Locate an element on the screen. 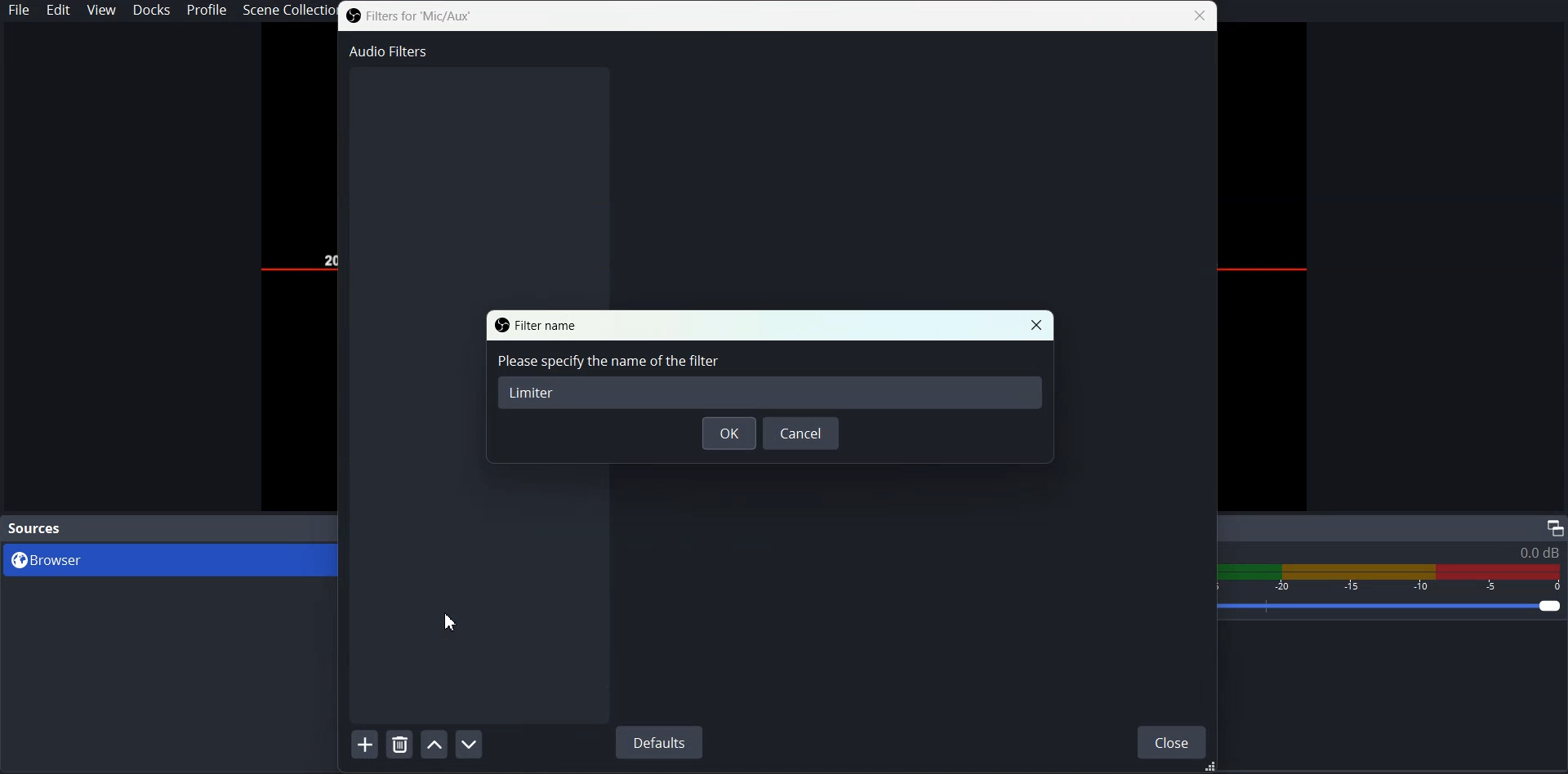 The image size is (1568, 774). Enter Filter name is located at coordinates (770, 381).